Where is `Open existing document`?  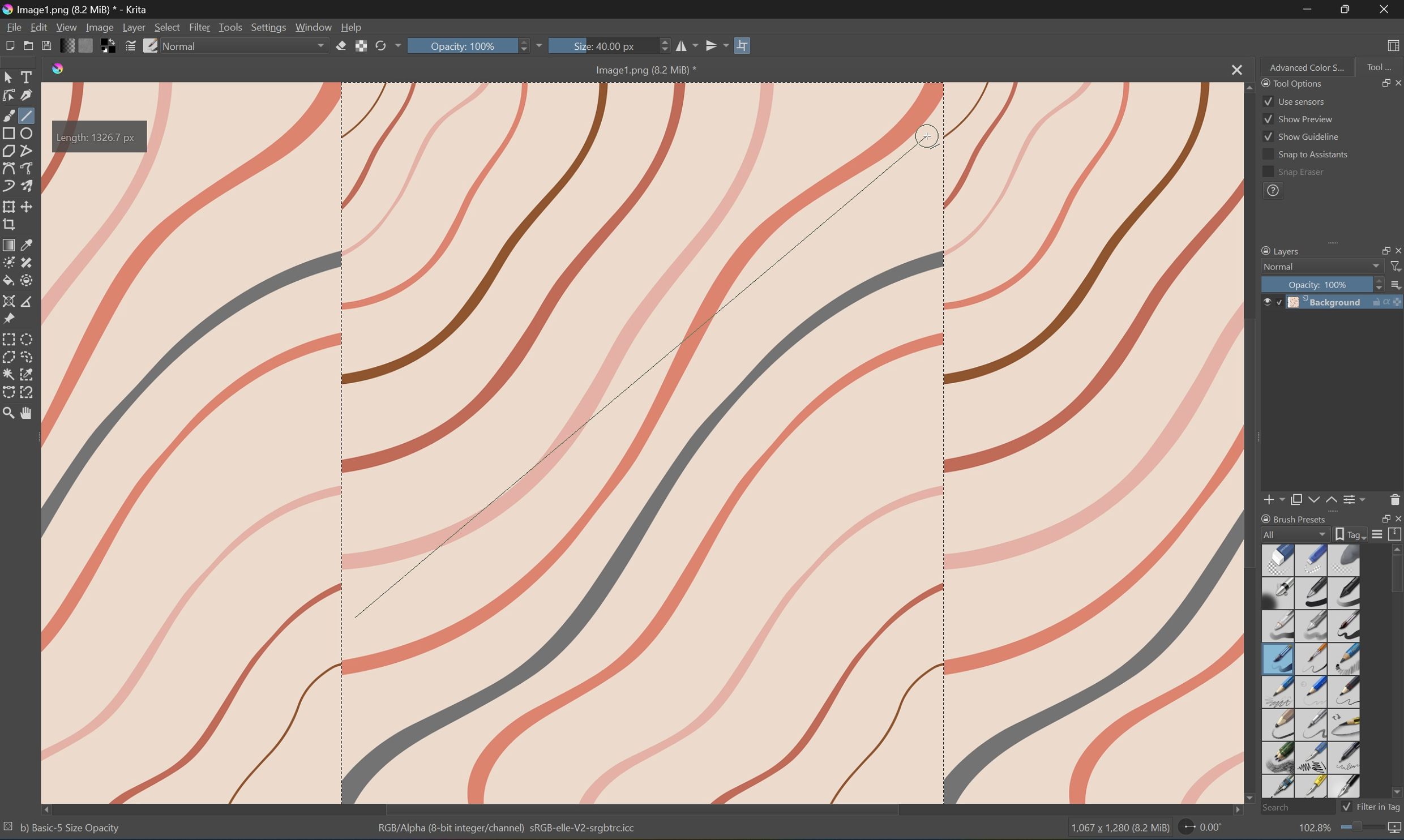
Open existing document is located at coordinates (28, 47).